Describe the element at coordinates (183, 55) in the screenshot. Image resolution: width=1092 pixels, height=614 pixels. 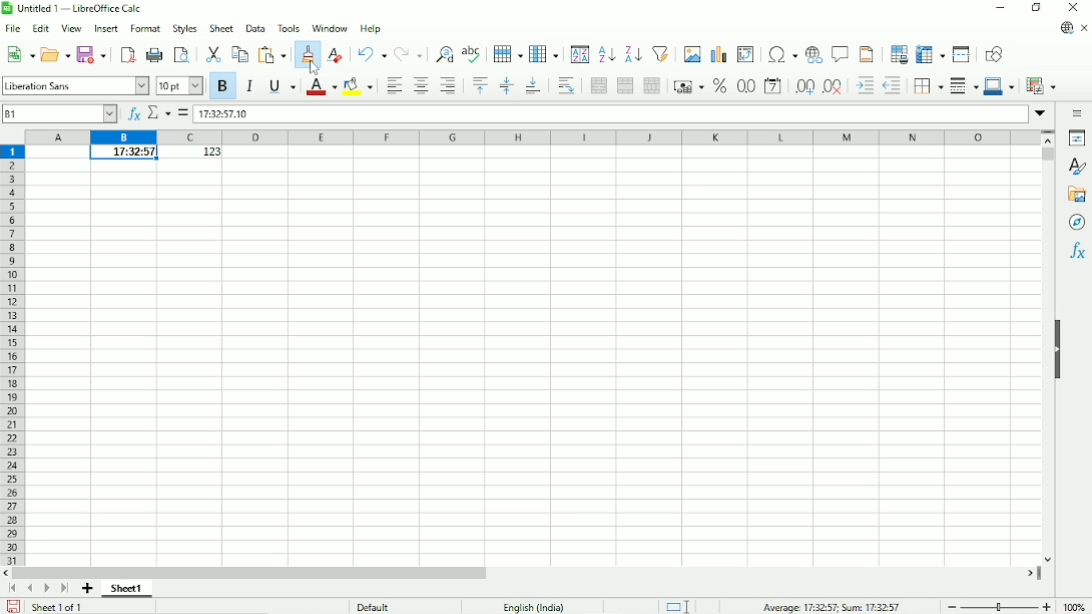
I see `Toggle print preview` at that location.